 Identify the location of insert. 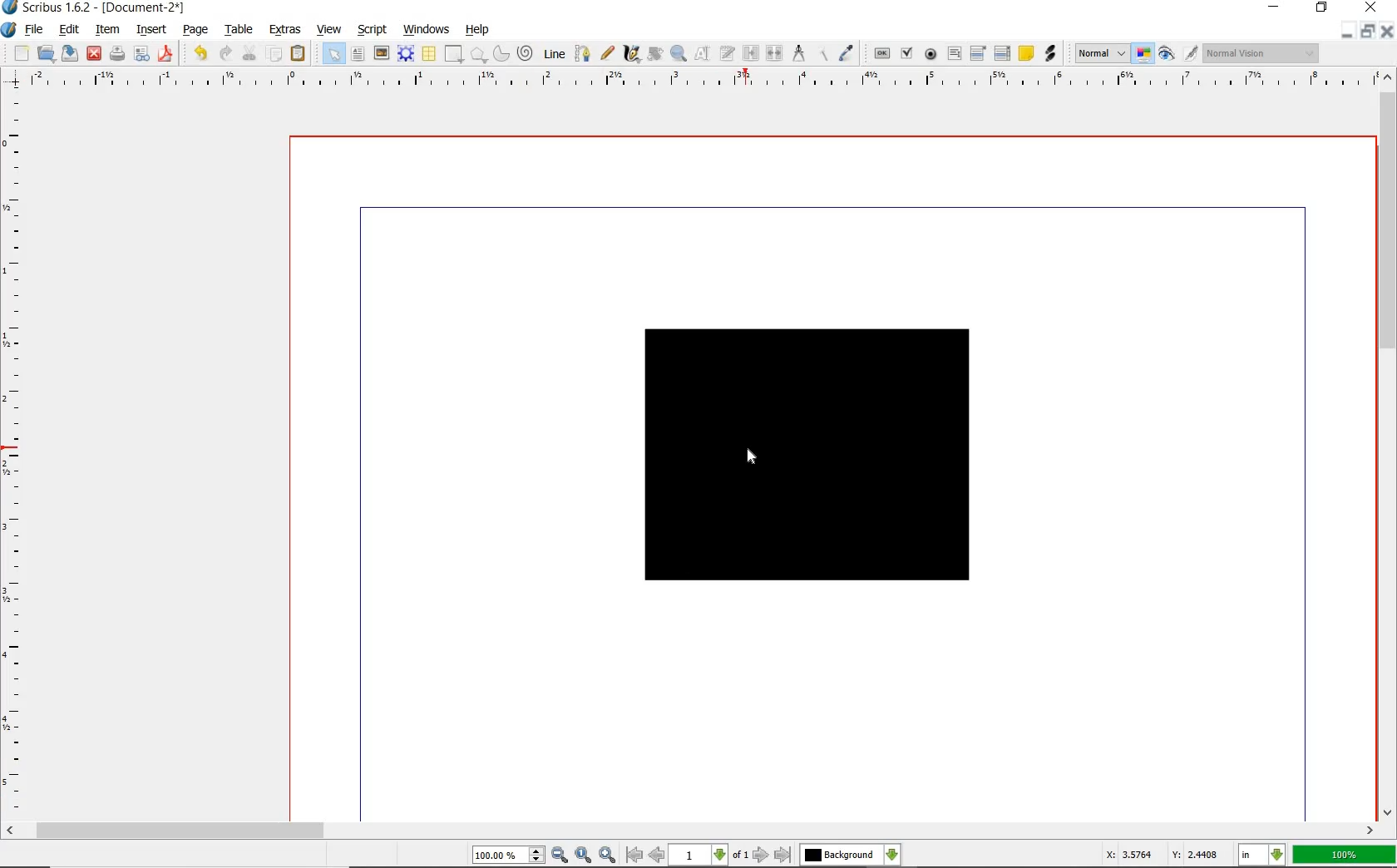
(154, 29).